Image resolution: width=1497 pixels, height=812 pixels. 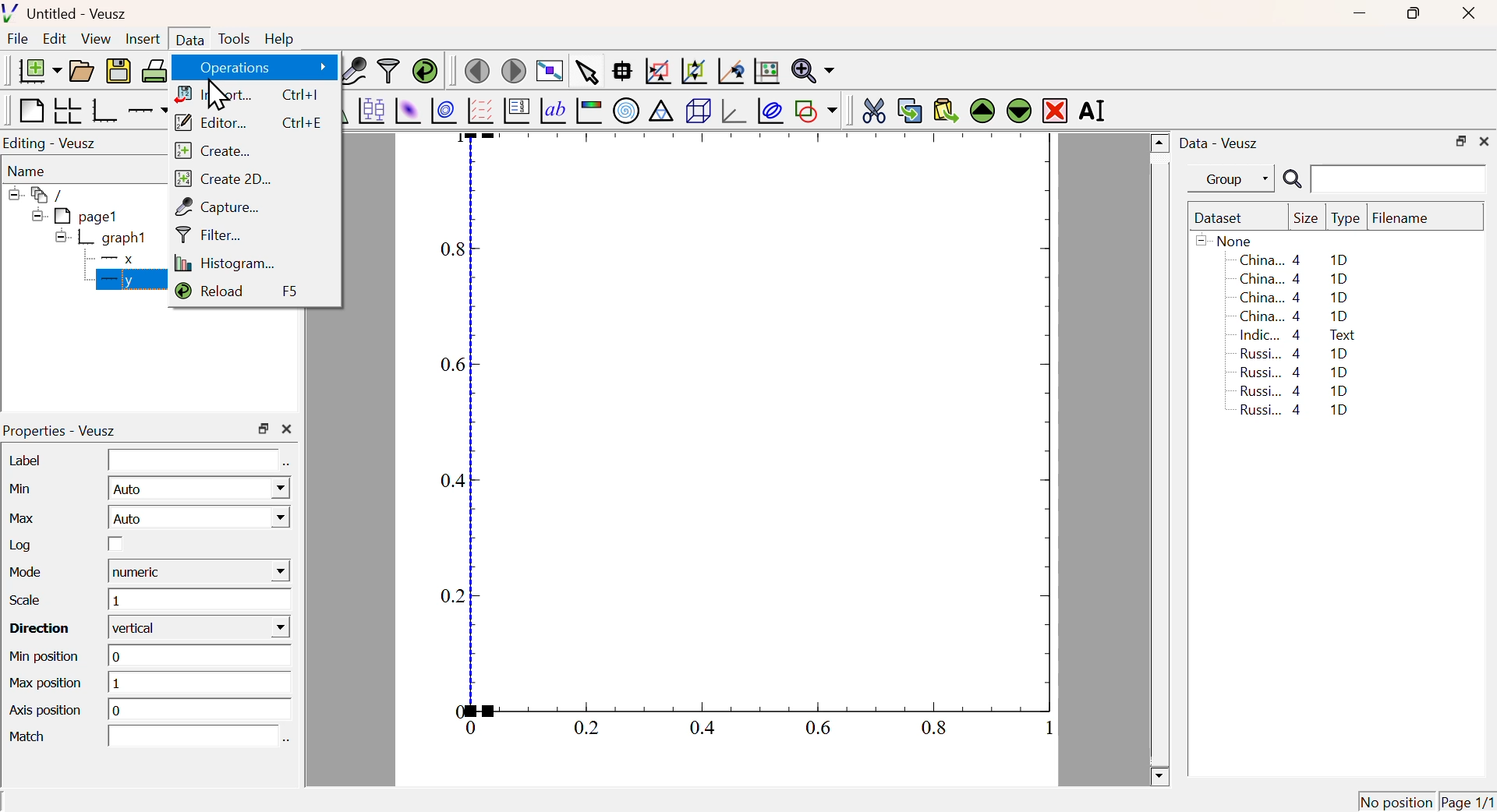 What do you see at coordinates (1294, 316) in the screenshot?
I see `China... 4 1D` at bounding box center [1294, 316].